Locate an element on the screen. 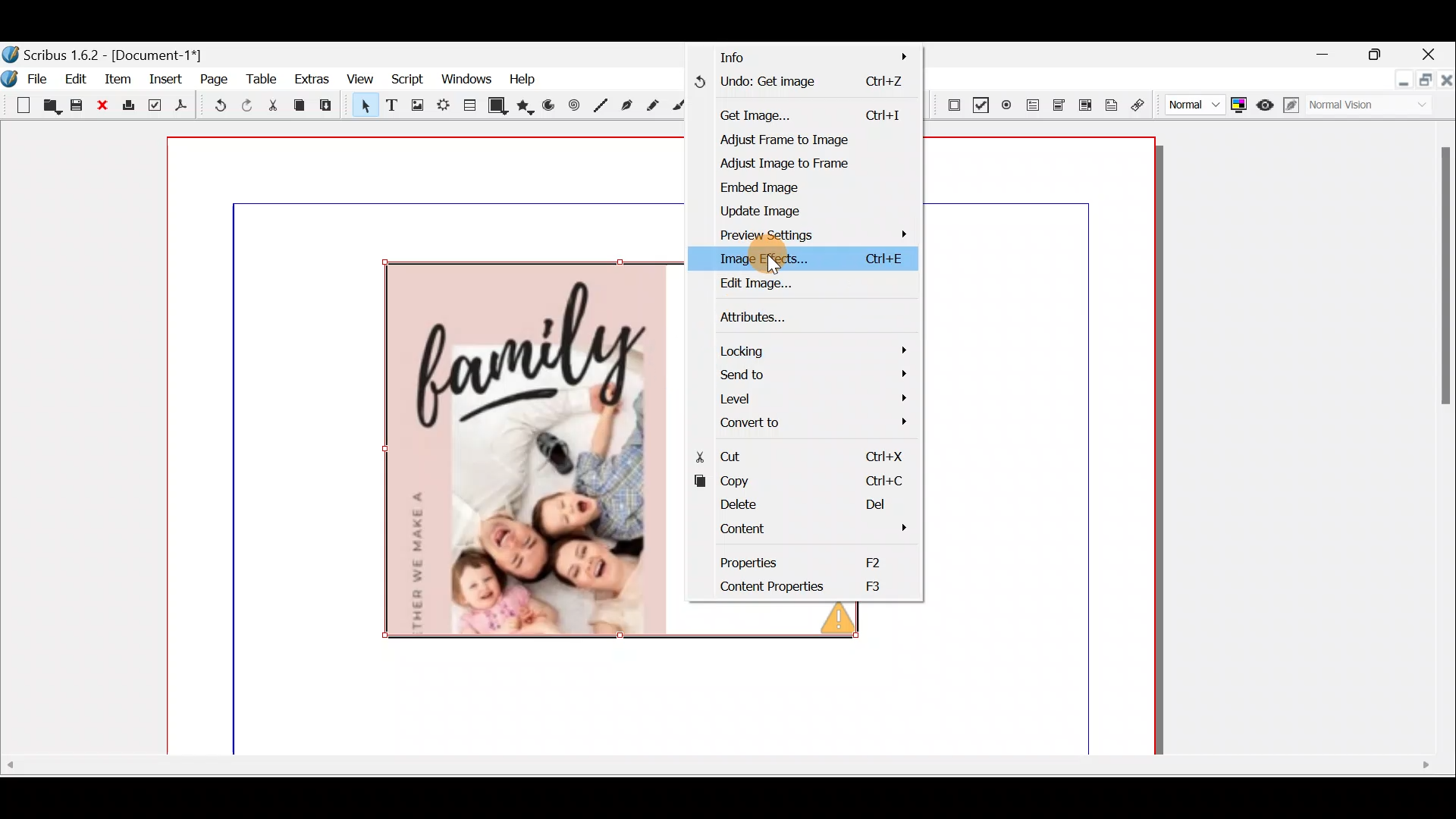 The image size is (1456, 819). Freehand line is located at coordinates (650, 107).